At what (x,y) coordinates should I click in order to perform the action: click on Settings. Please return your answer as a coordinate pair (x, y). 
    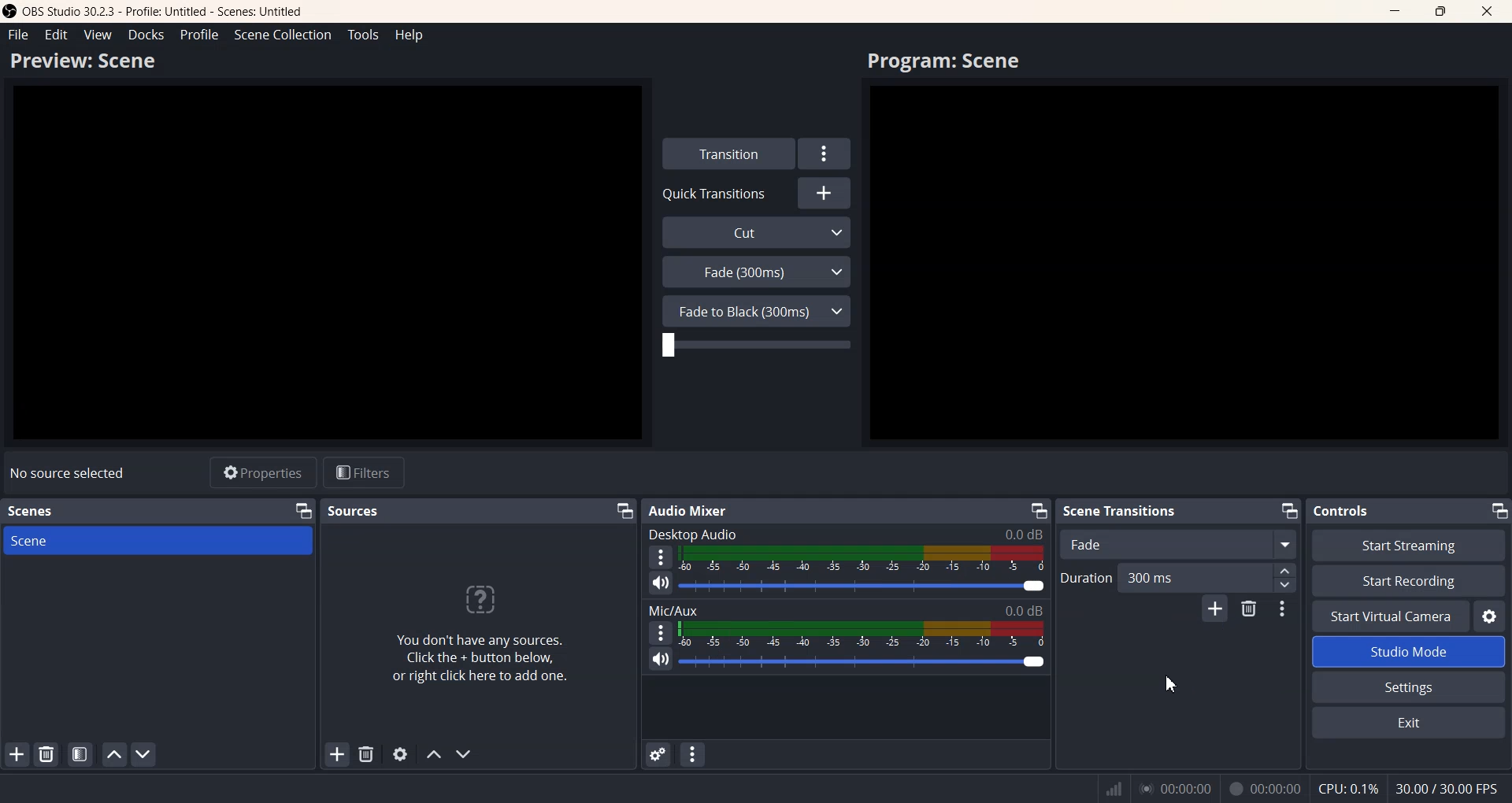
    Looking at the image, I should click on (398, 755).